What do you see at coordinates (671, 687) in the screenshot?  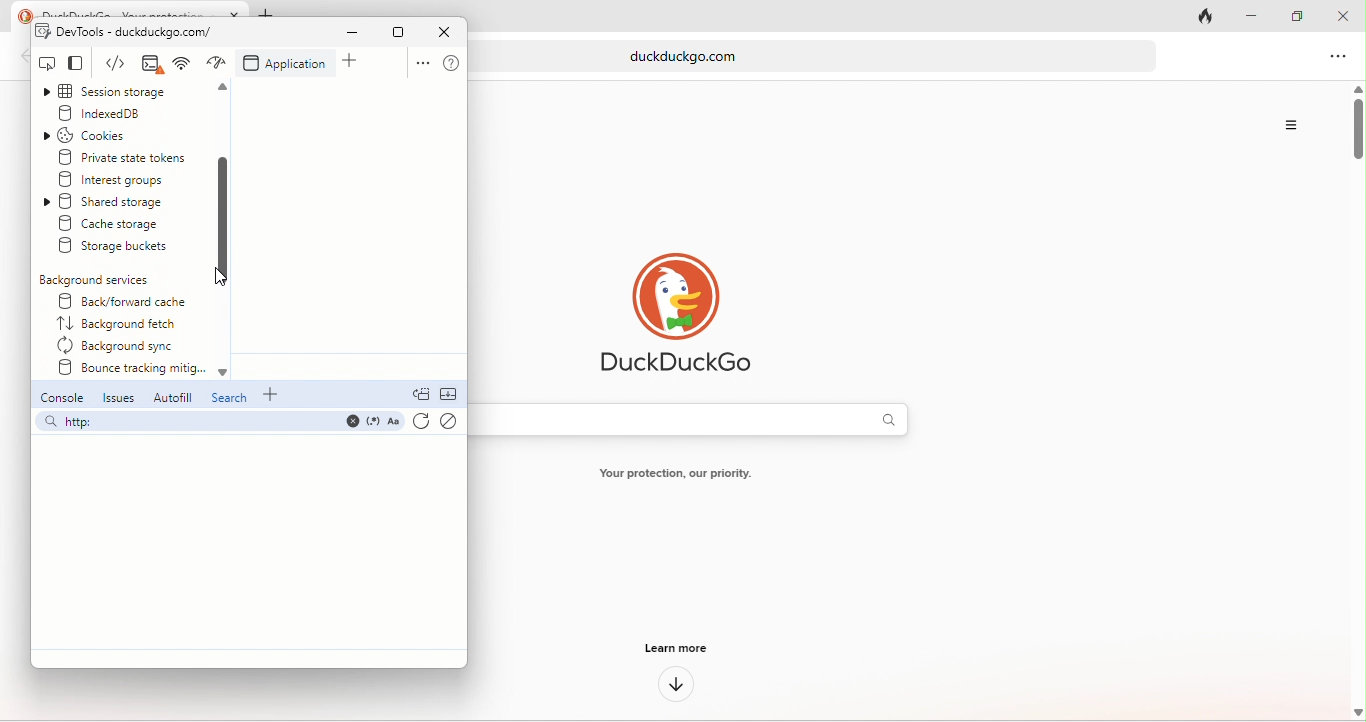 I see `down arrow` at bounding box center [671, 687].